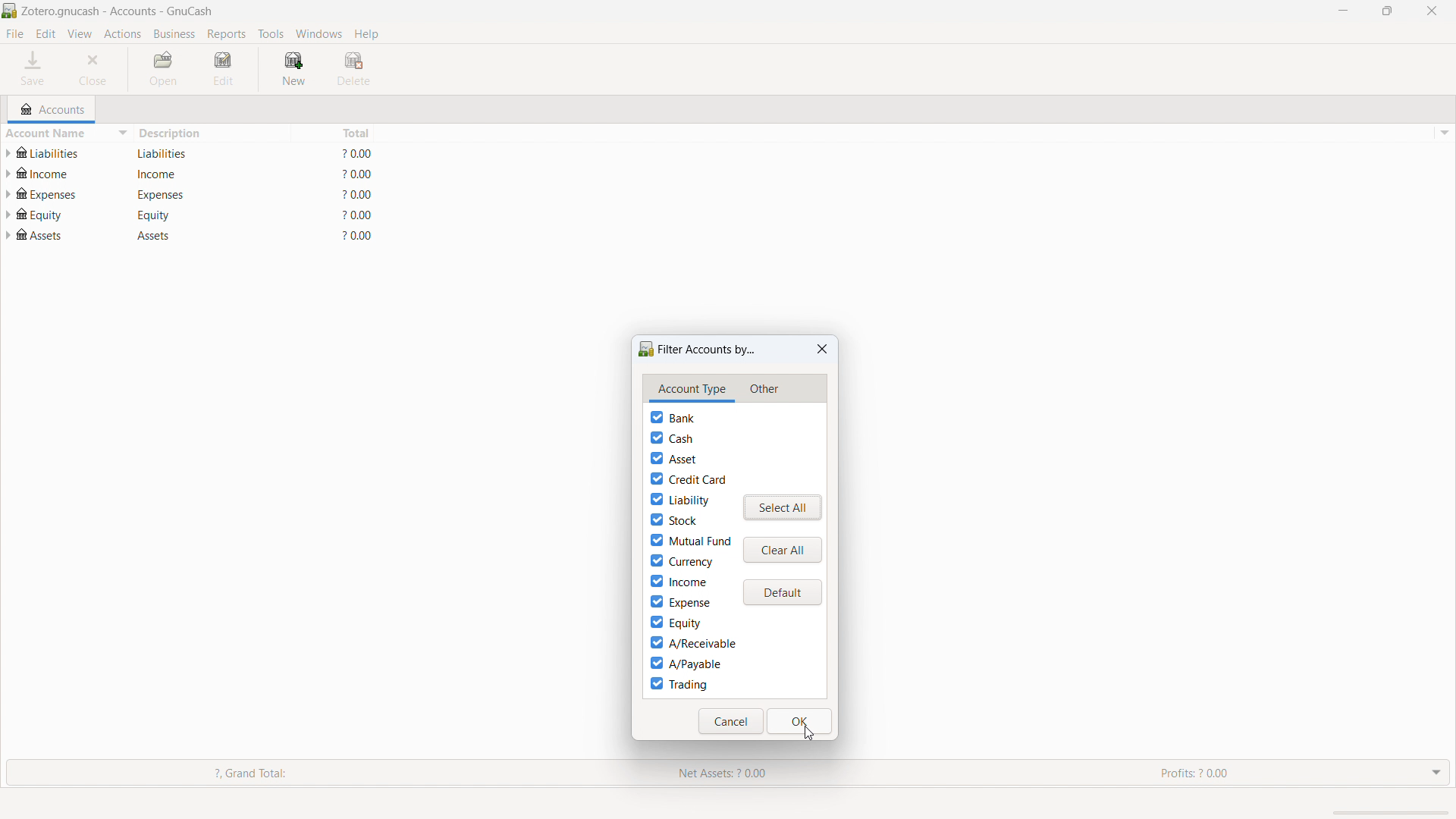  I want to click on filter accounts by, so click(700, 347).